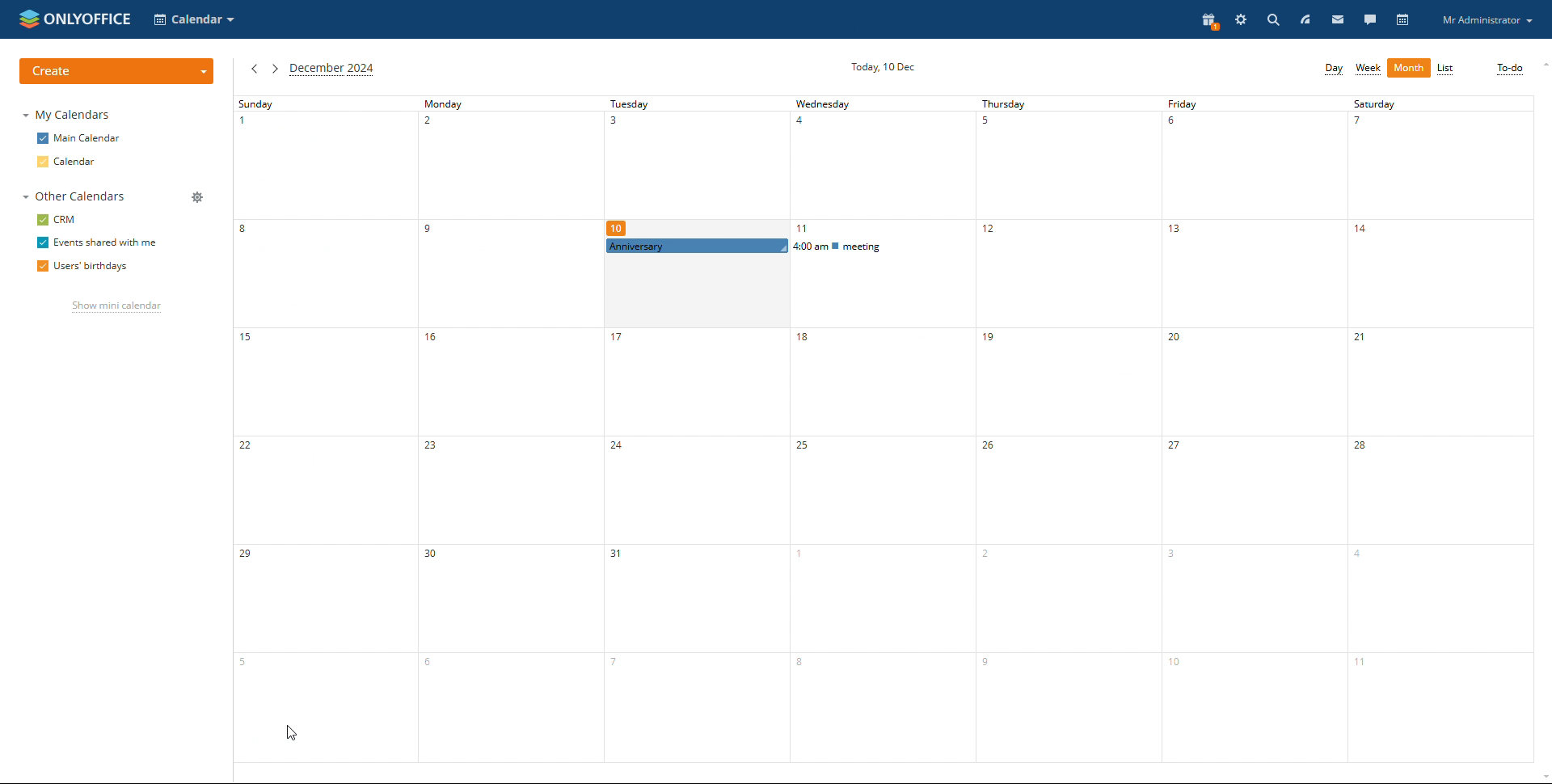 The image size is (1552, 784). Describe the element at coordinates (1542, 778) in the screenshot. I see `scroll down` at that location.